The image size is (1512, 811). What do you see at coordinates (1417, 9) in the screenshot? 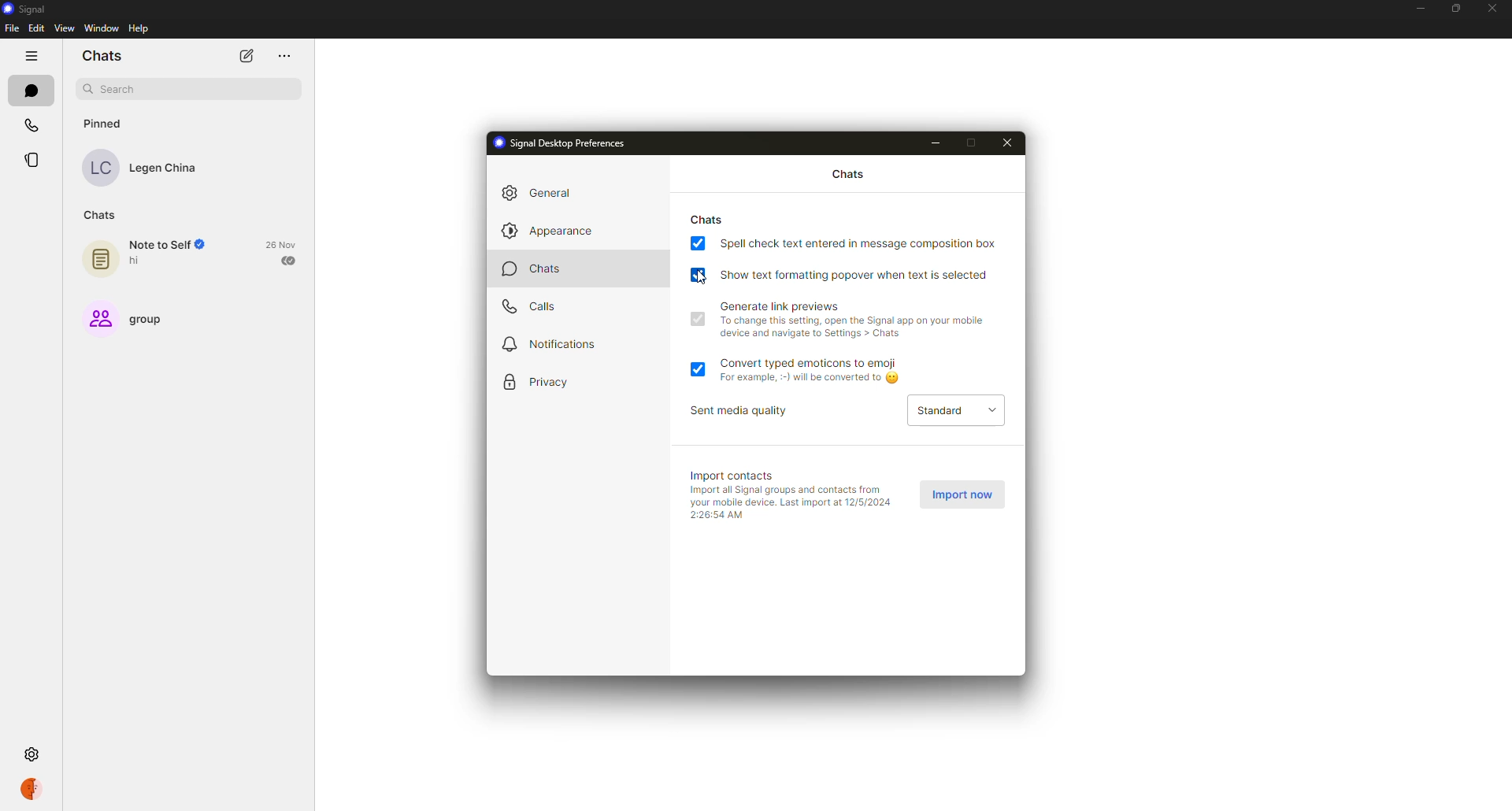
I see `minimize` at bounding box center [1417, 9].